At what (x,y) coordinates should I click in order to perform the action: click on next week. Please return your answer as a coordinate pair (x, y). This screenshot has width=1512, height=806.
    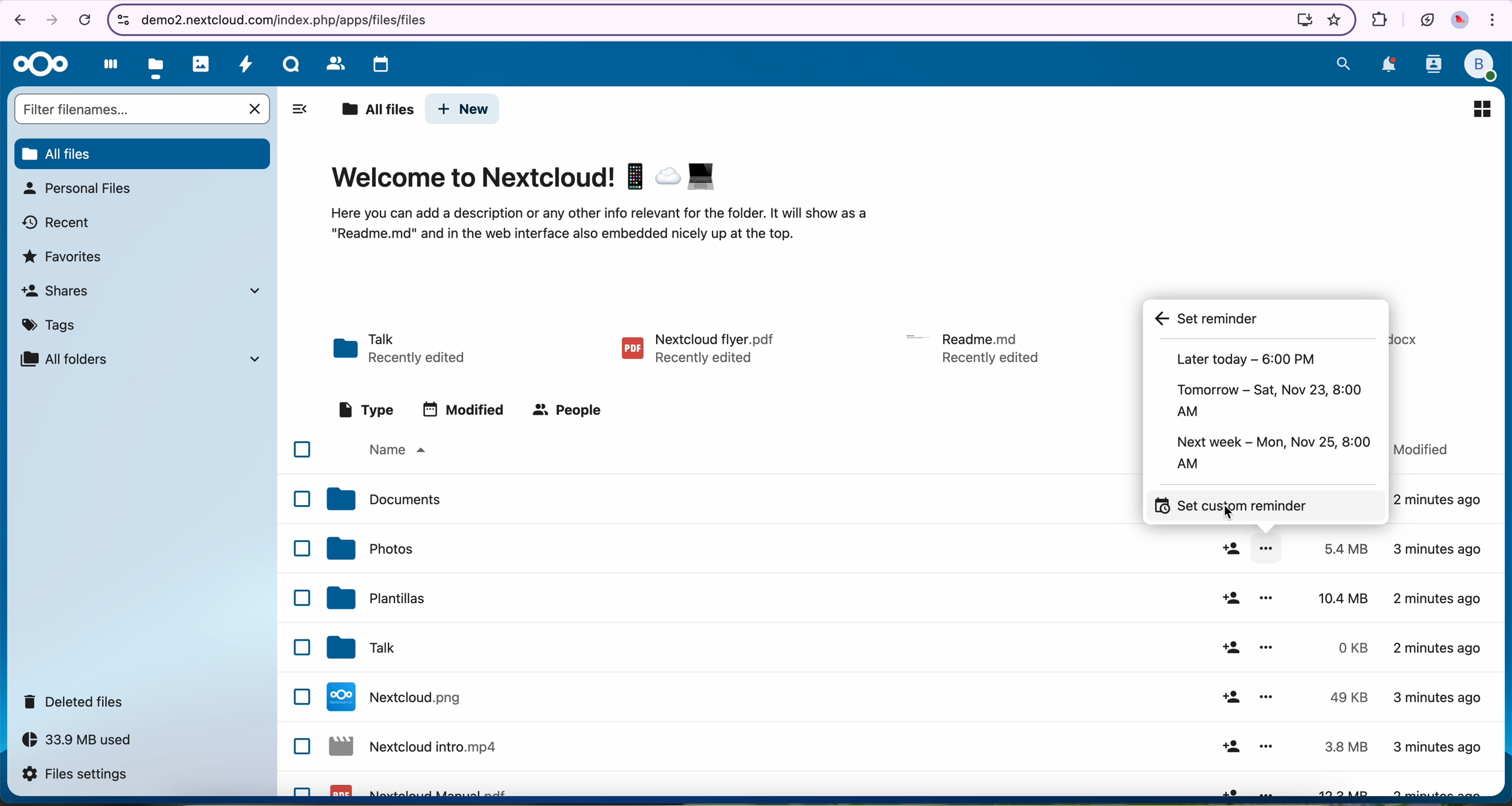
    Looking at the image, I should click on (1265, 452).